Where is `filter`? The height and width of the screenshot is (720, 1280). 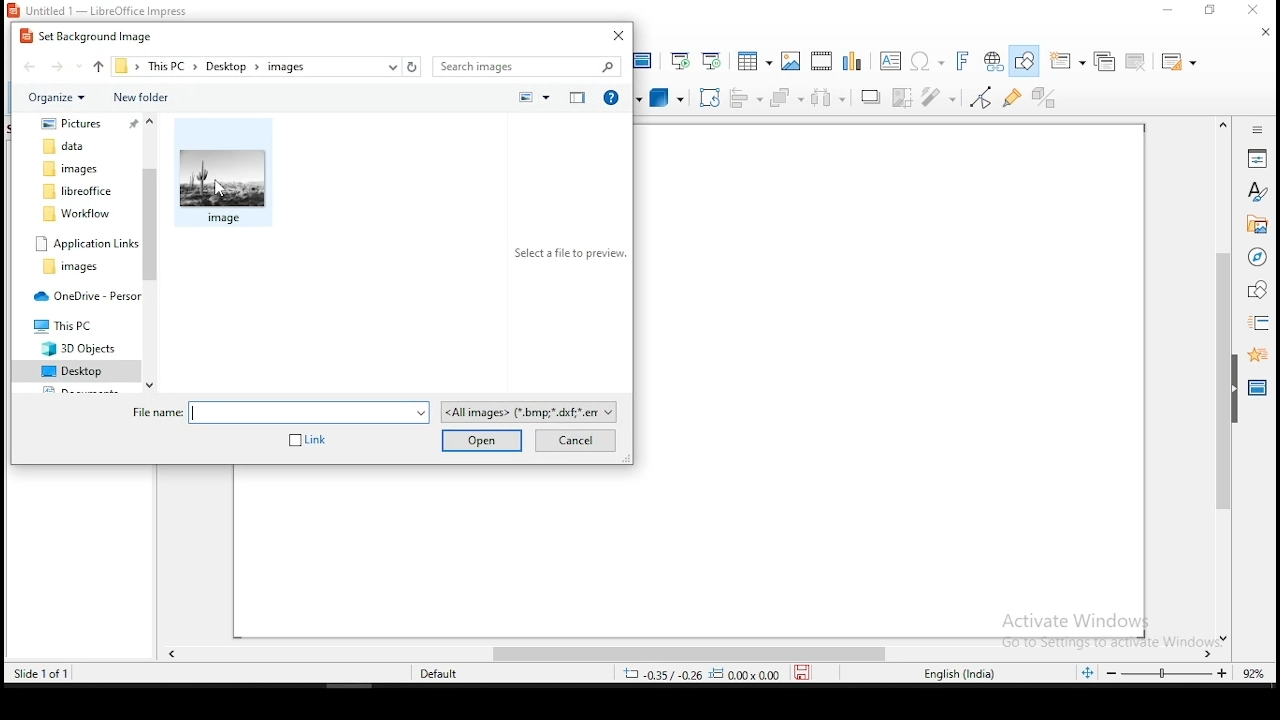 filter is located at coordinates (939, 97).